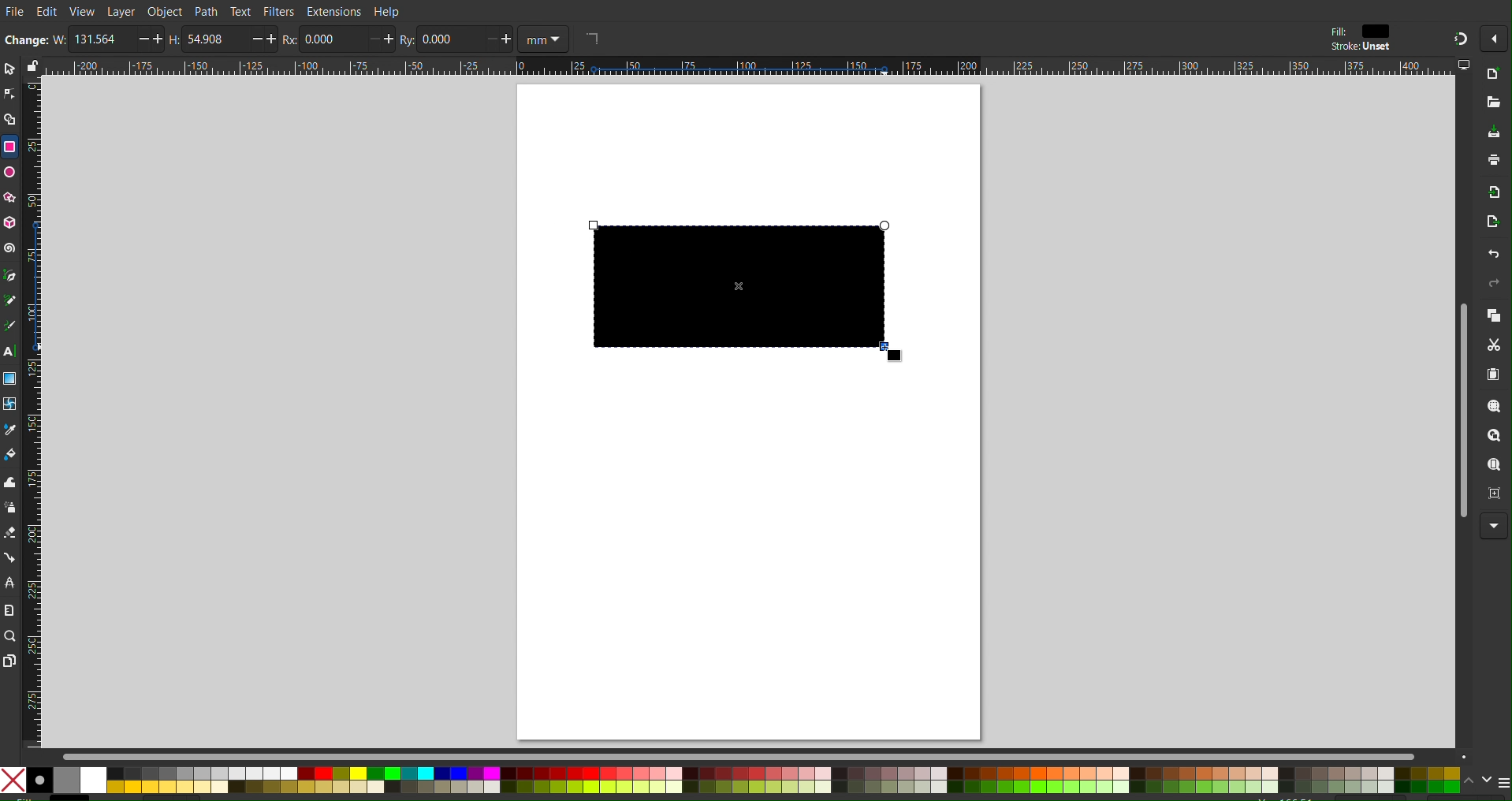  What do you see at coordinates (380, 39) in the screenshot?
I see `increase/decrease` at bounding box center [380, 39].